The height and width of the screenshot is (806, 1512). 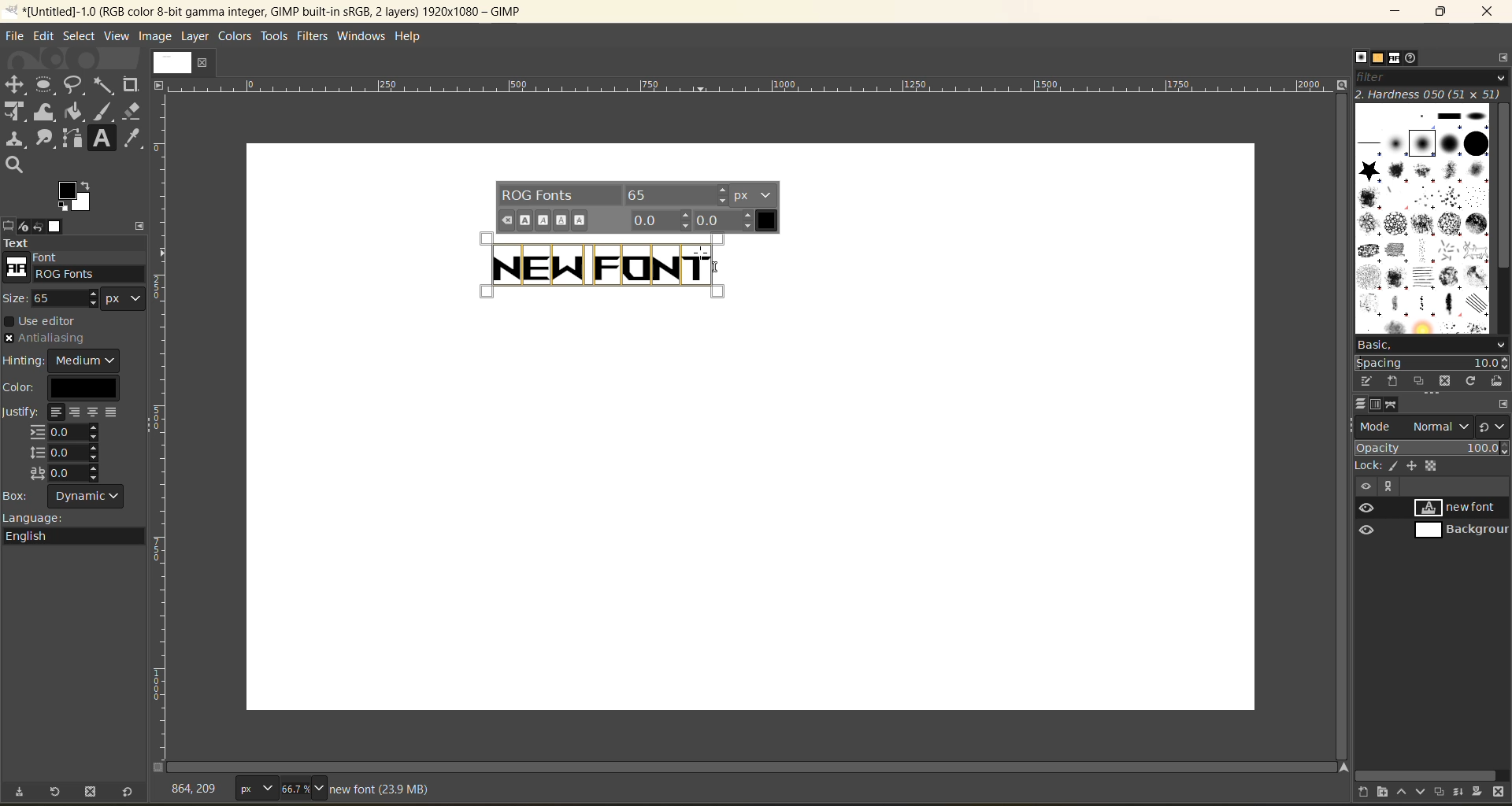 What do you see at coordinates (48, 322) in the screenshot?
I see `use editor` at bounding box center [48, 322].